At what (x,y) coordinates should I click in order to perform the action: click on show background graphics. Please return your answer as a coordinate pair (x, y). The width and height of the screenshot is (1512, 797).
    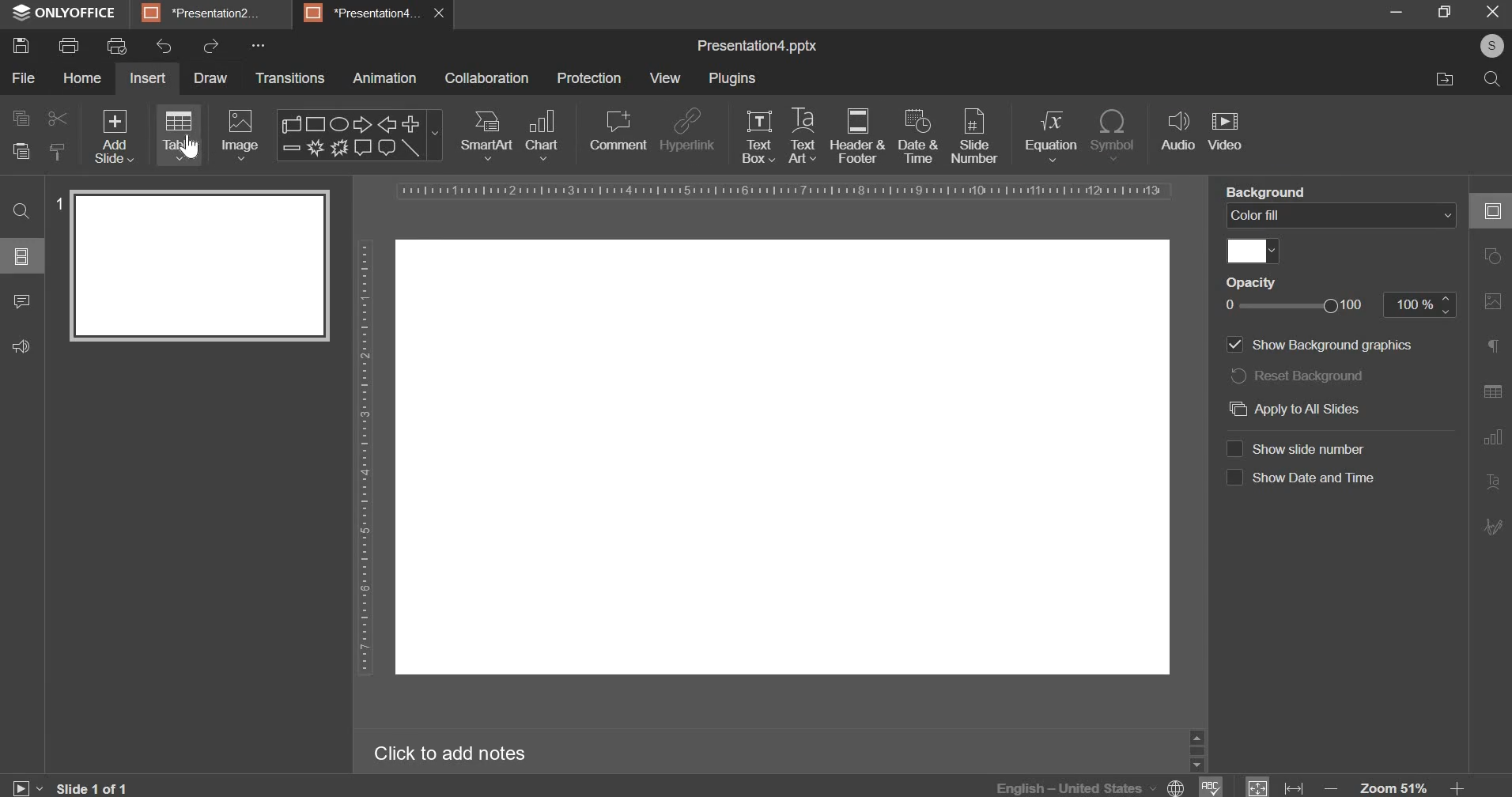
    Looking at the image, I should click on (1324, 345).